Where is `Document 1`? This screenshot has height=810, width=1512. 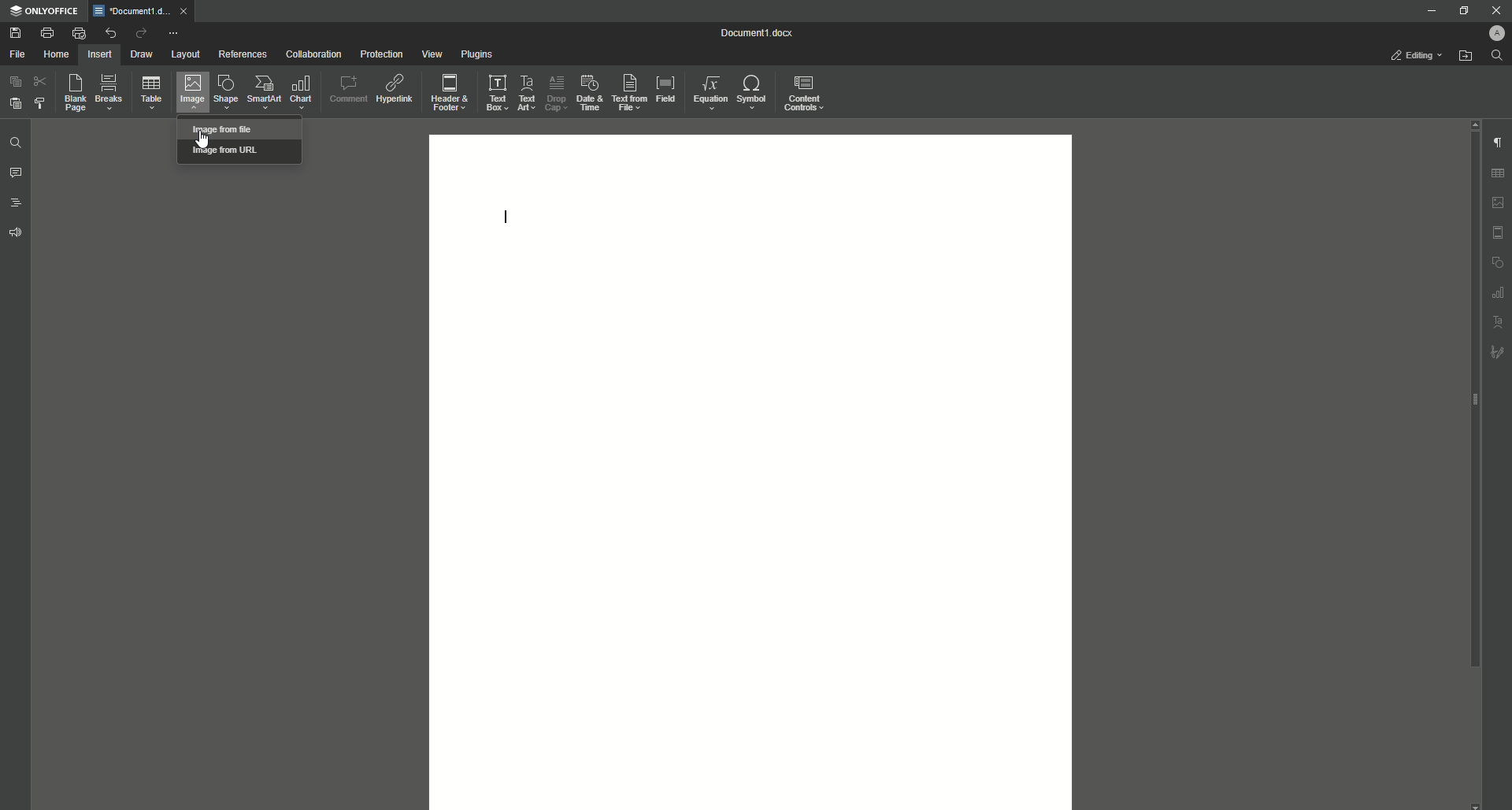
Document 1 is located at coordinates (756, 32).